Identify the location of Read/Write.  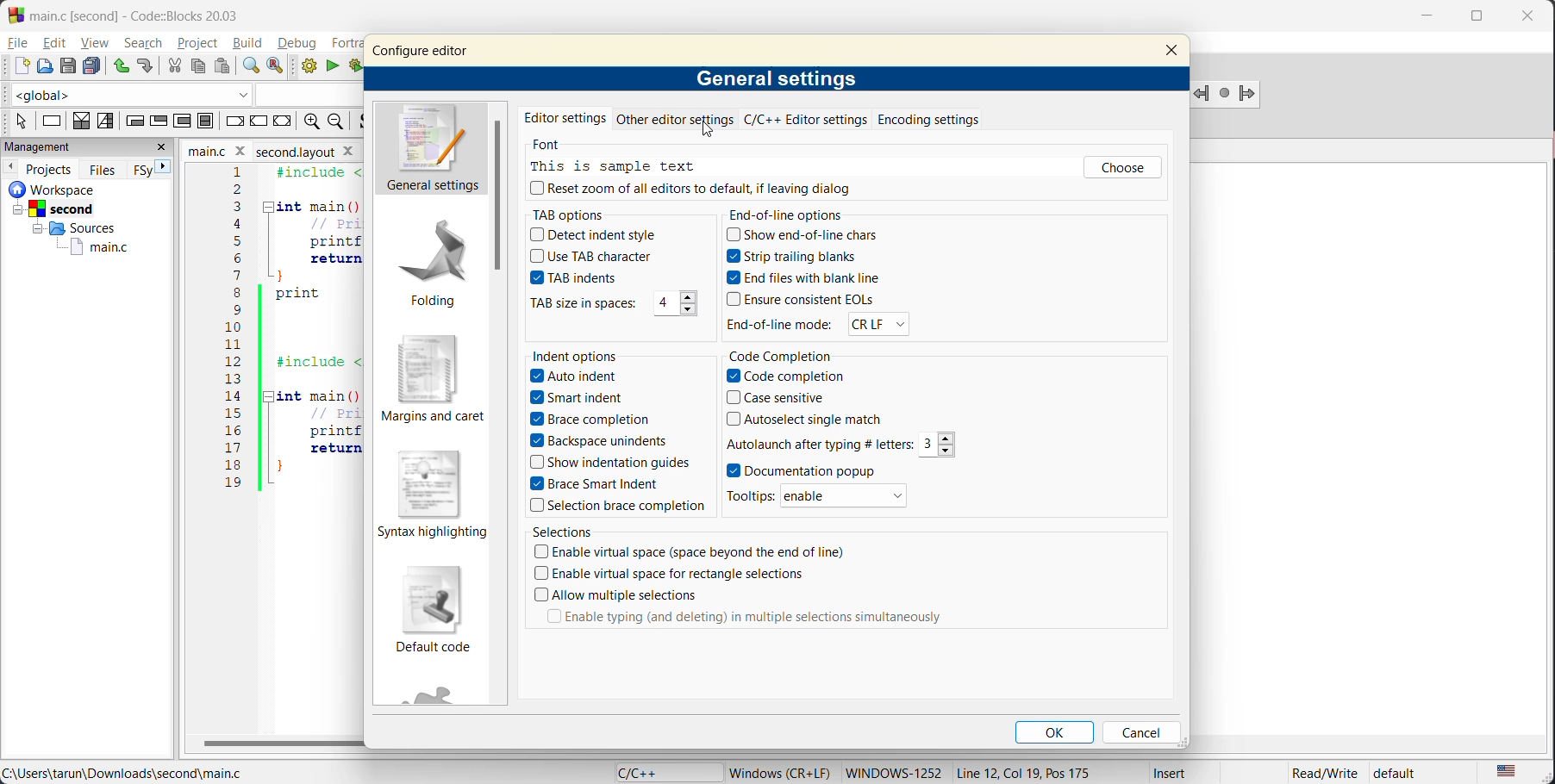
(1319, 774).